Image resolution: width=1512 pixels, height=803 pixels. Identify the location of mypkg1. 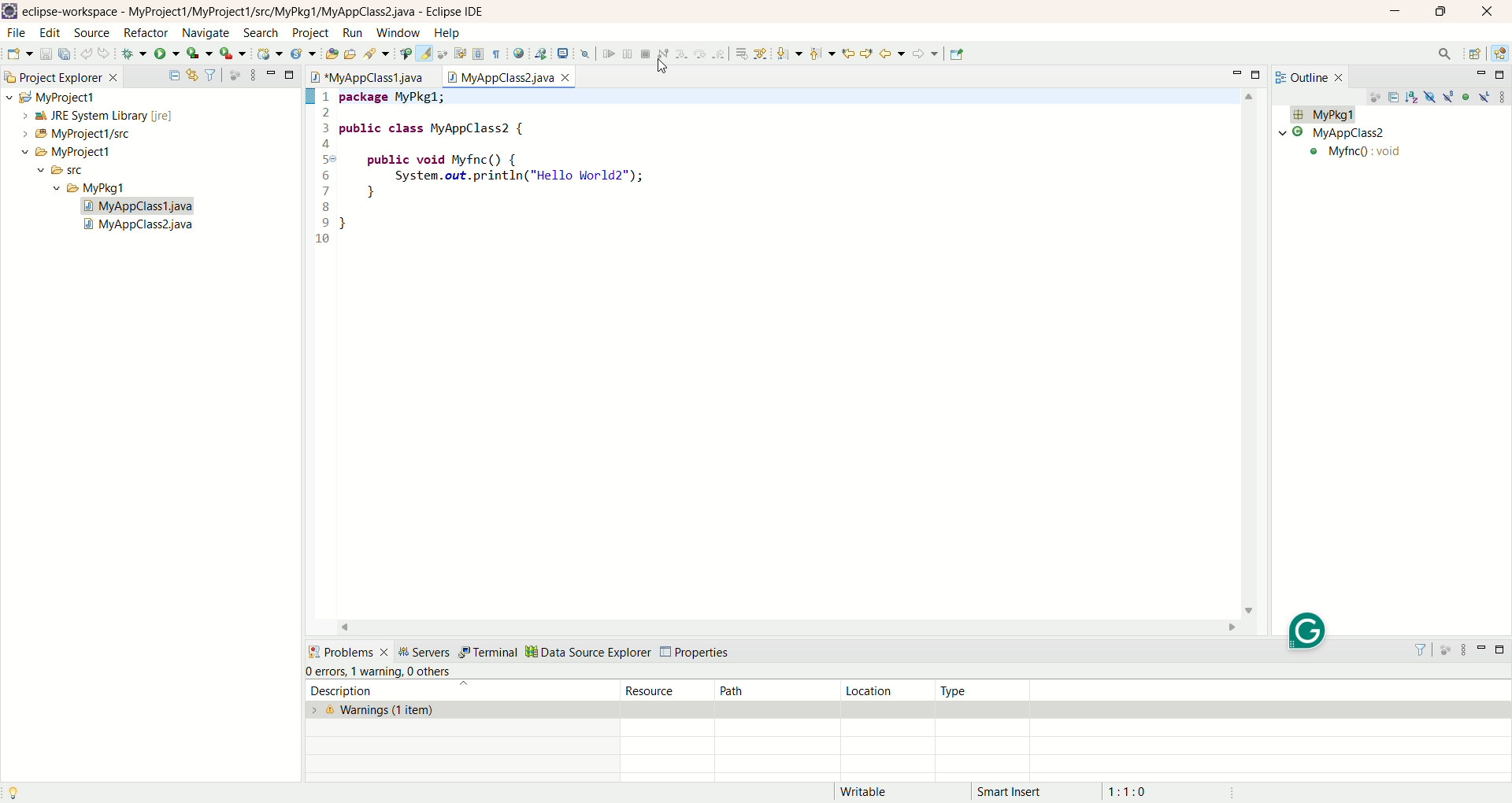
(91, 188).